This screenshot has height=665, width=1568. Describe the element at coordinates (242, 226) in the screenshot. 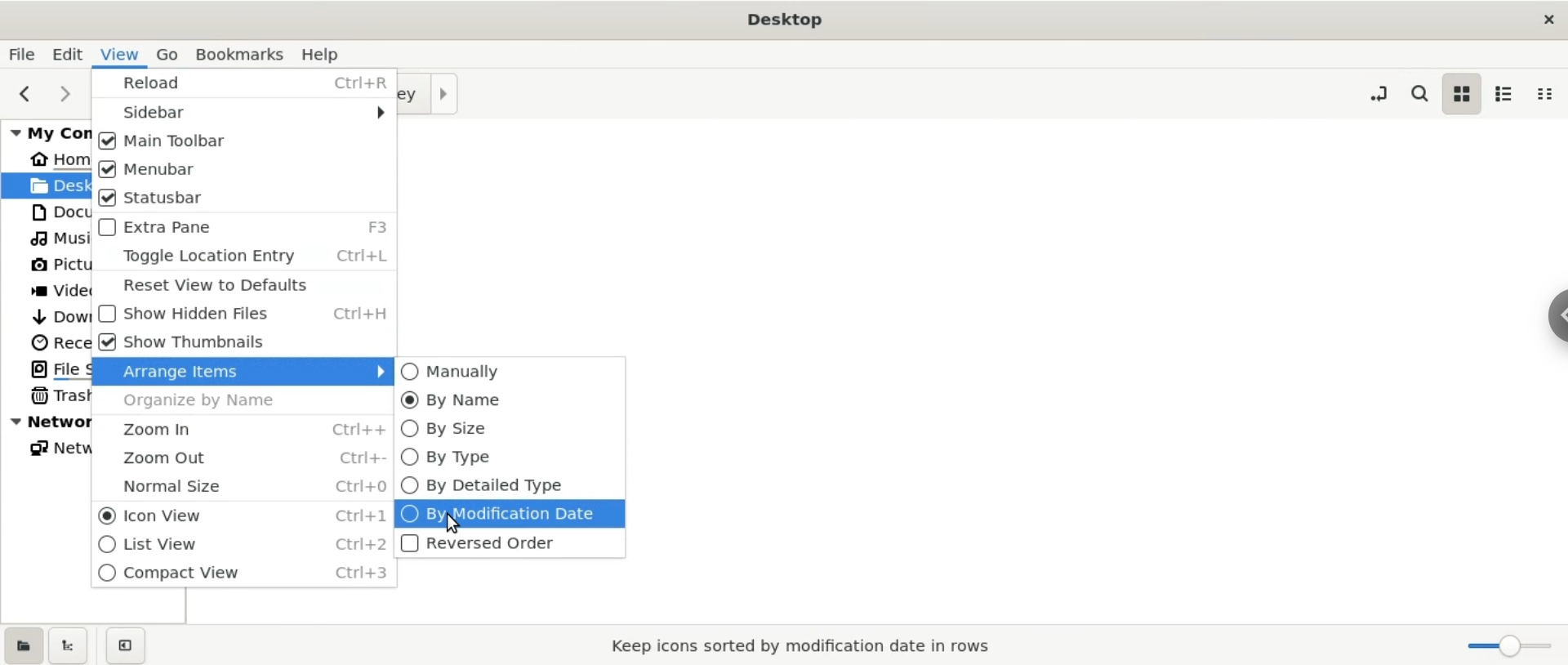

I see `extra page` at that location.